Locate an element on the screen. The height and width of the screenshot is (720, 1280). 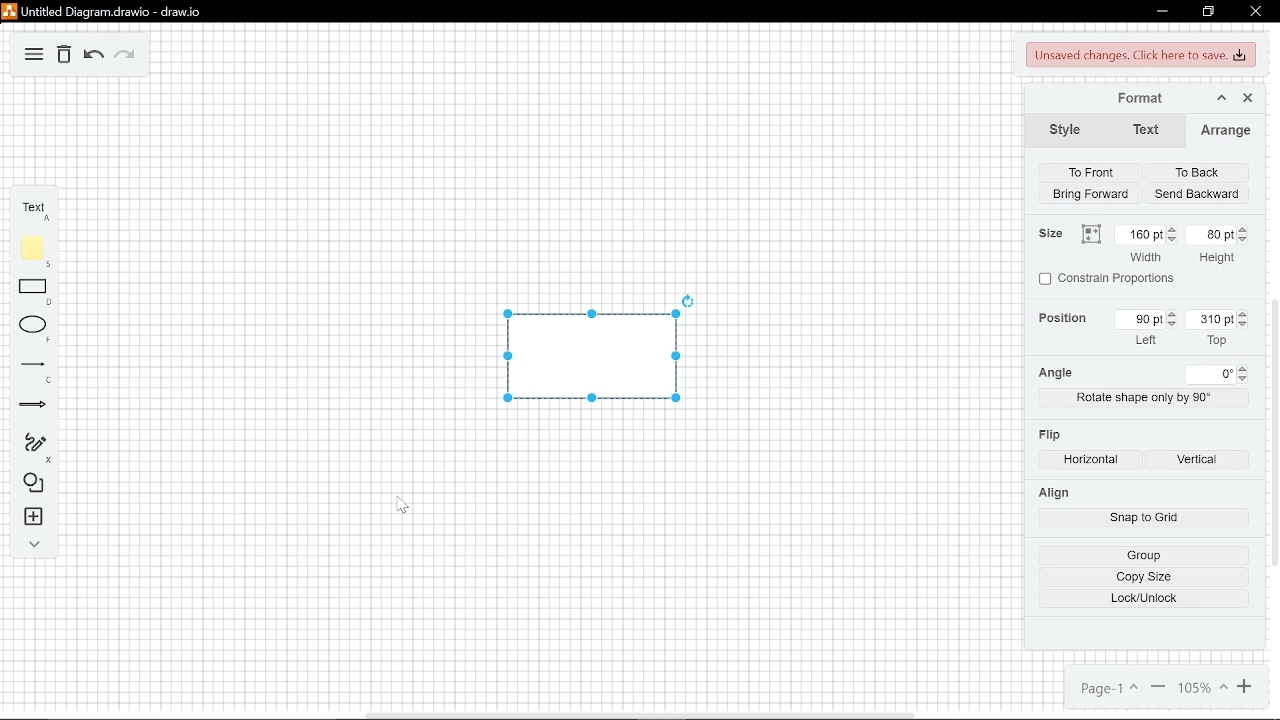
top is located at coordinates (1219, 342).